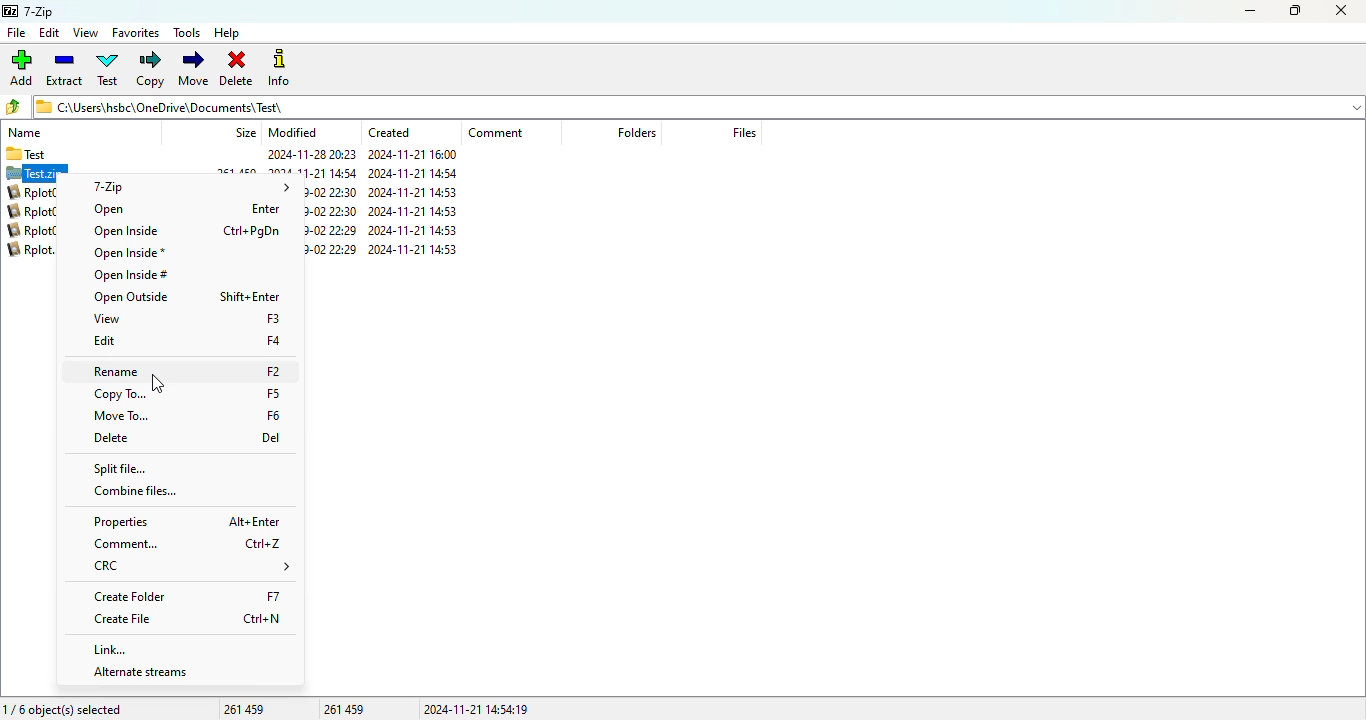 This screenshot has height=720, width=1366. I want to click on view, so click(85, 32).